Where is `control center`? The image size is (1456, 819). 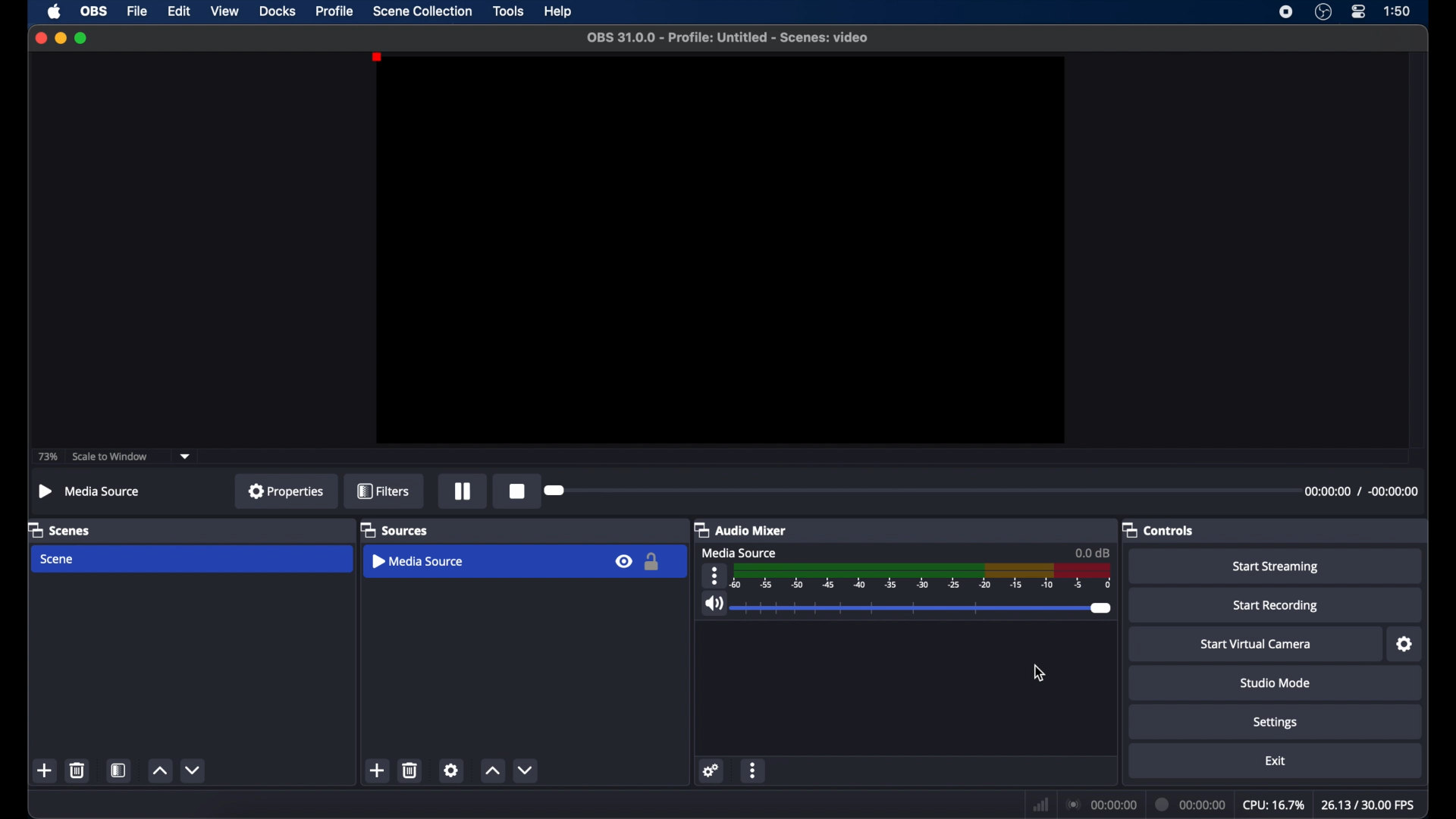 control center is located at coordinates (1360, 12).